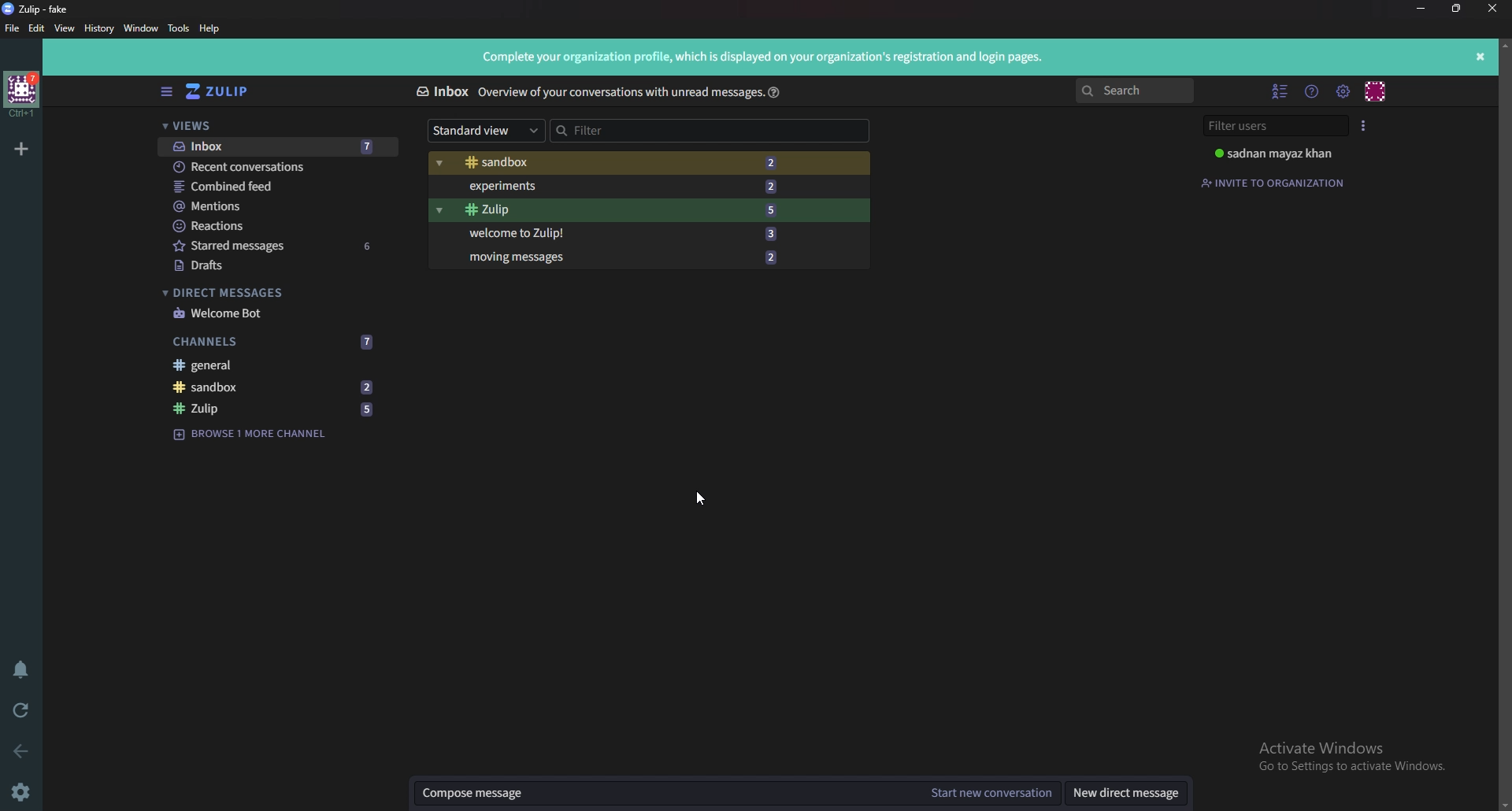  Describe the element at coordinates (274, 409) in the screenshot. I see `zulip` at that location.